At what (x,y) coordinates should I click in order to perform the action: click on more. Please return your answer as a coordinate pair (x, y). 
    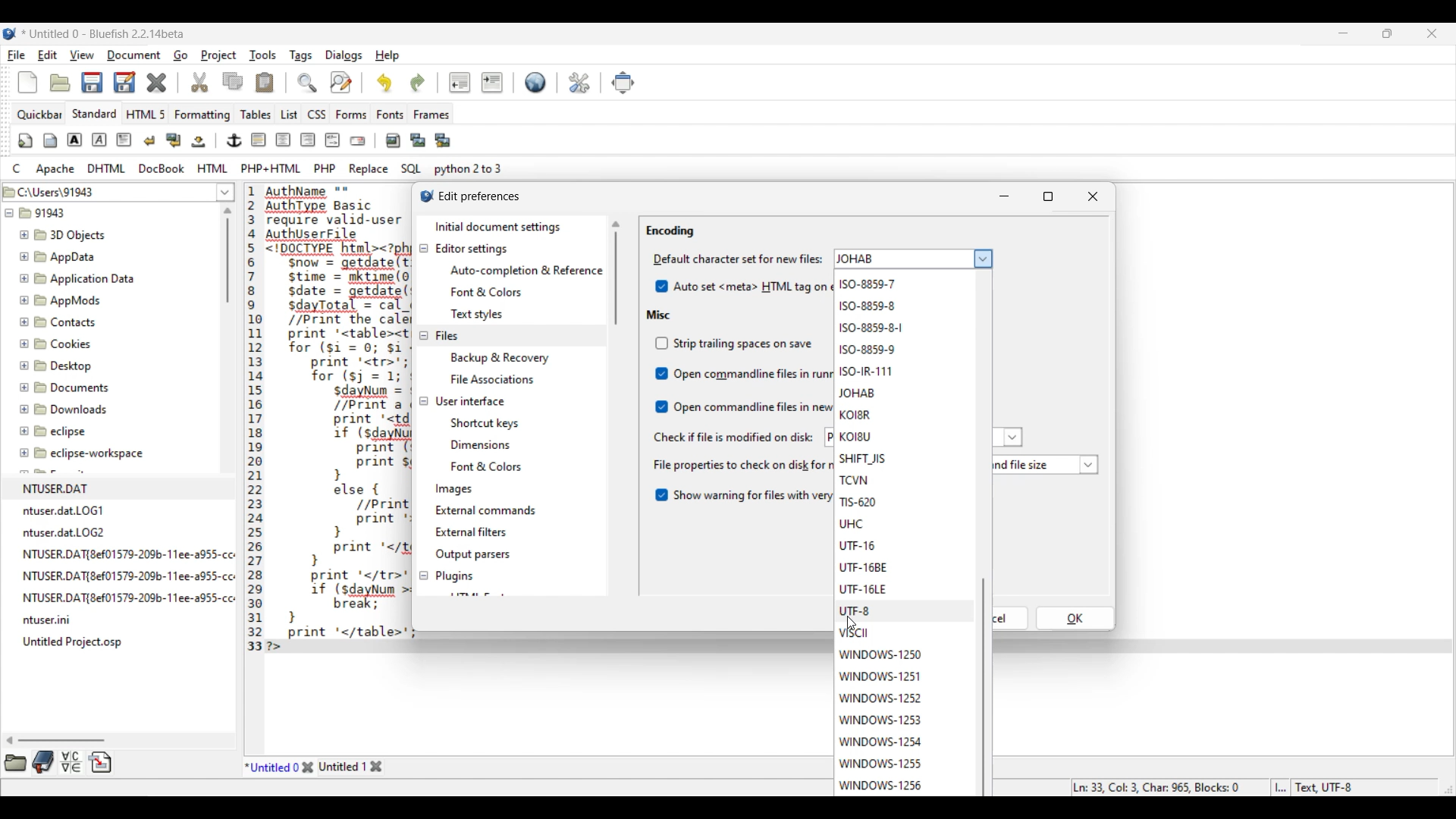
    Looking at the image, I should click on (1015, 436).